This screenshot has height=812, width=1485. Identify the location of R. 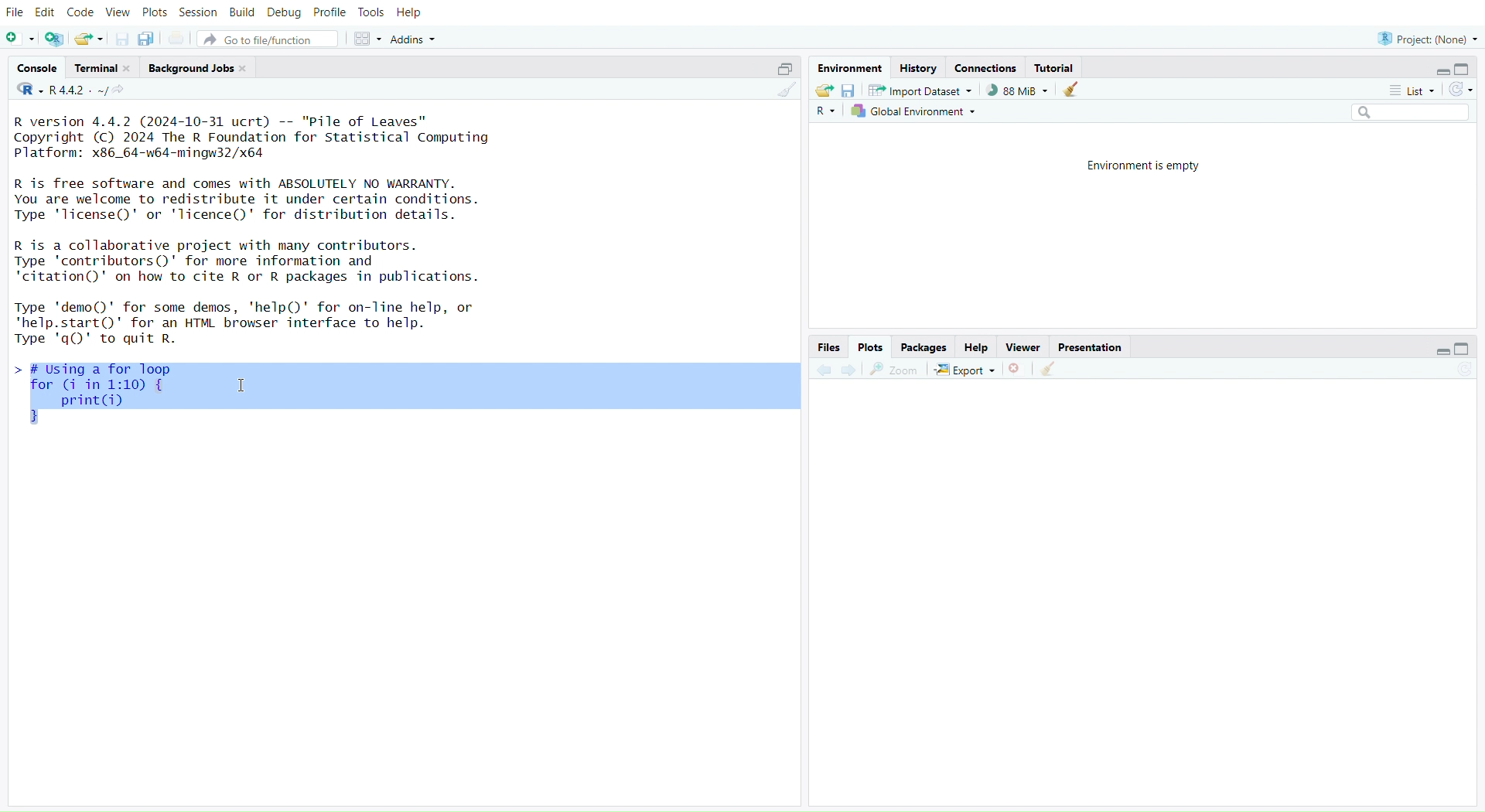
(824, 113).